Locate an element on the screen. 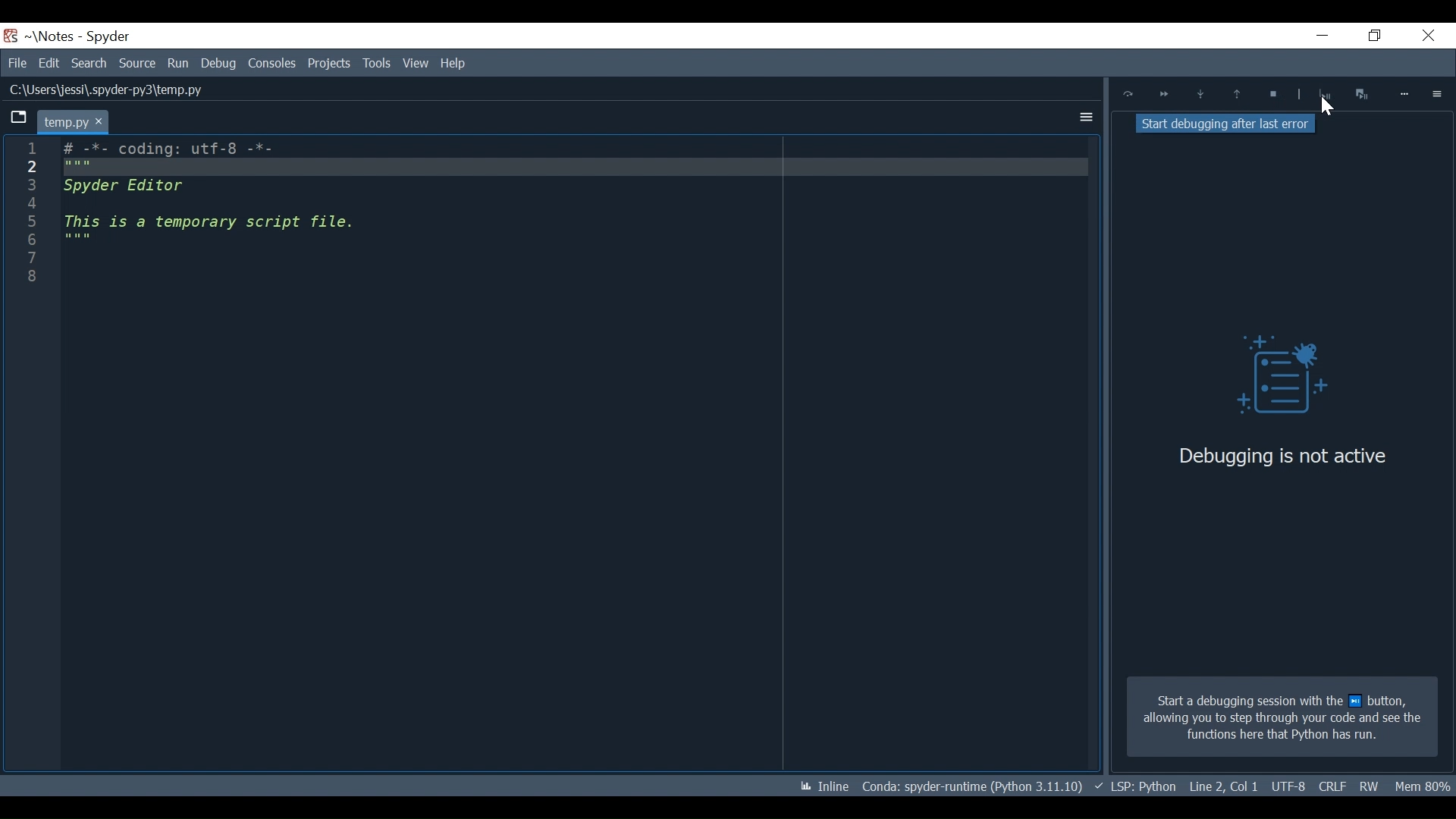  File Encoding is located at coordinates (1332, 787).